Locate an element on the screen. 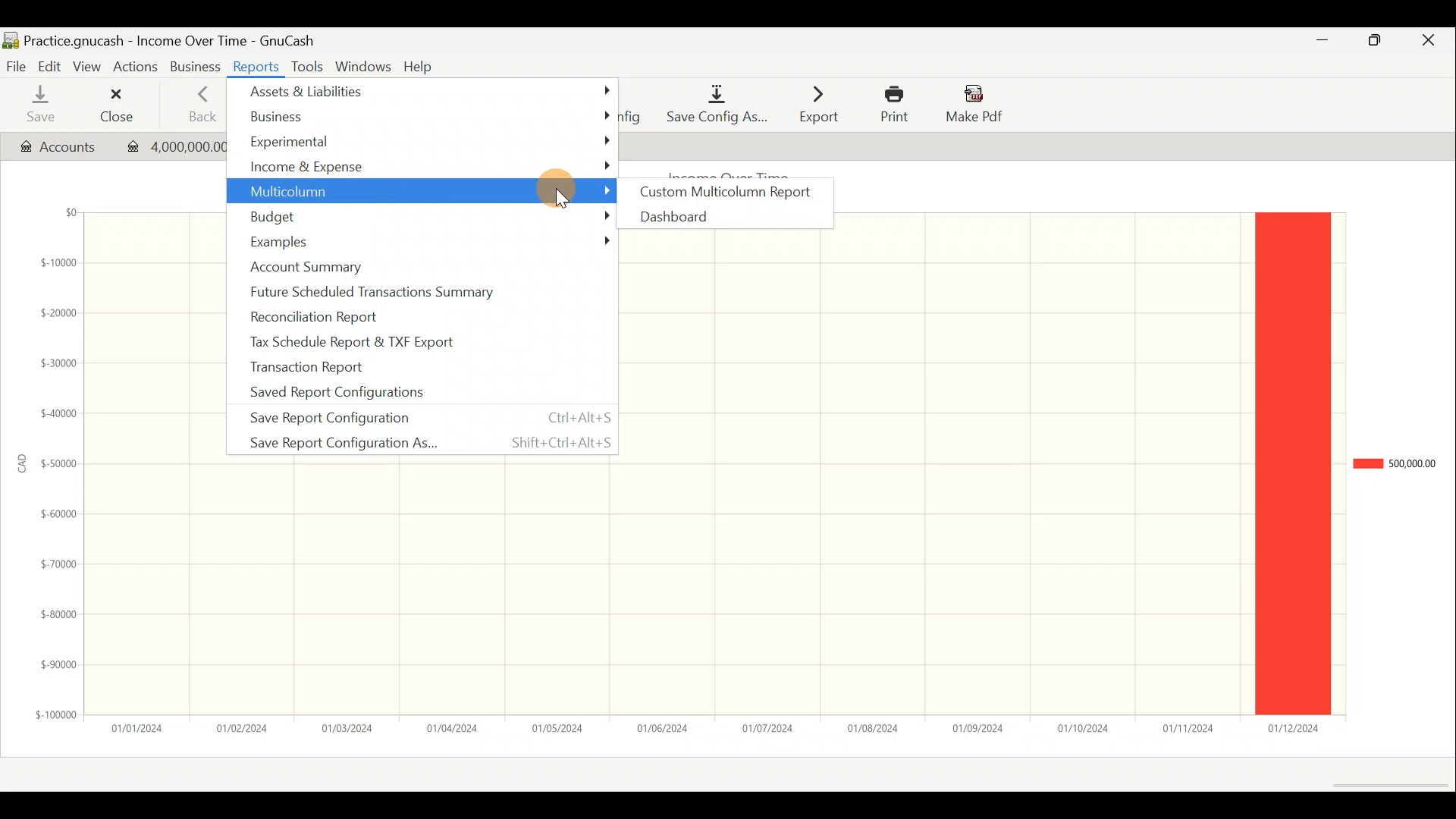  Edit is located at coordinates (49, 65).